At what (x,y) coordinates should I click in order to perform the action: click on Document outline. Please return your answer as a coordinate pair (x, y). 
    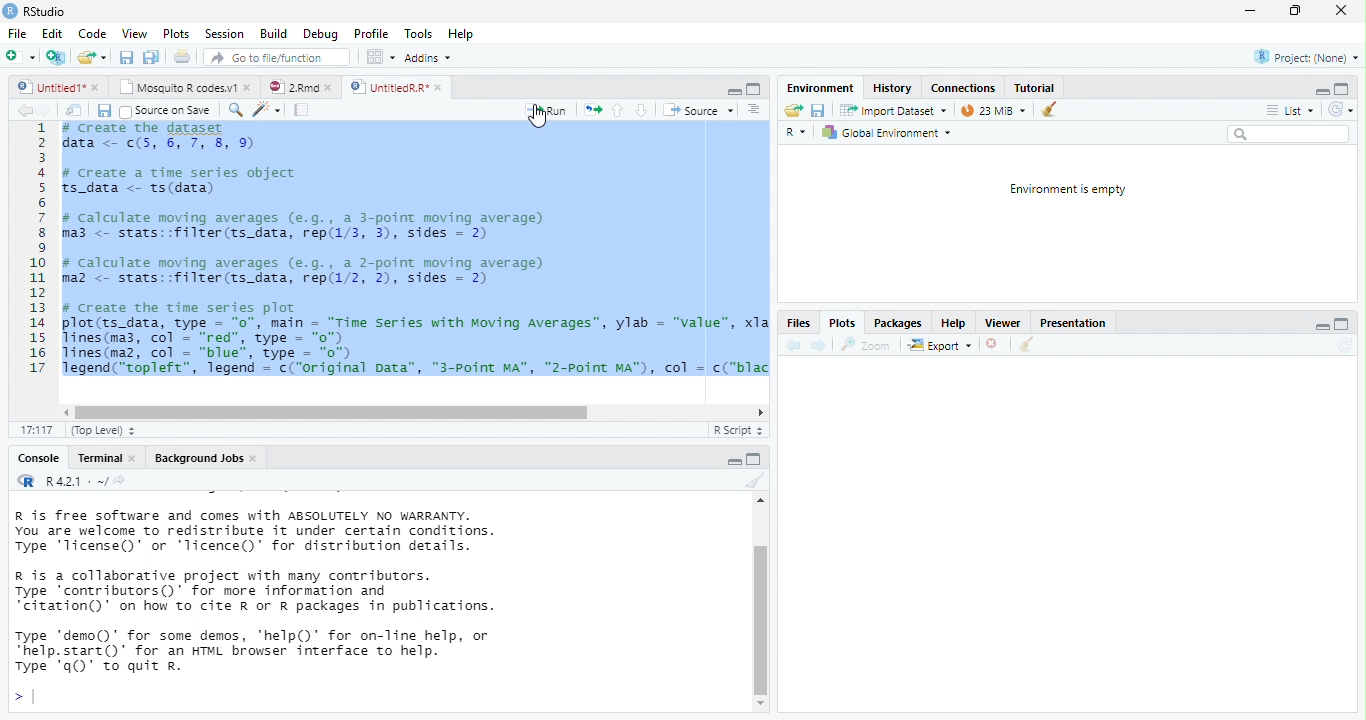
    Looking at the image, I should click on (755, 110).